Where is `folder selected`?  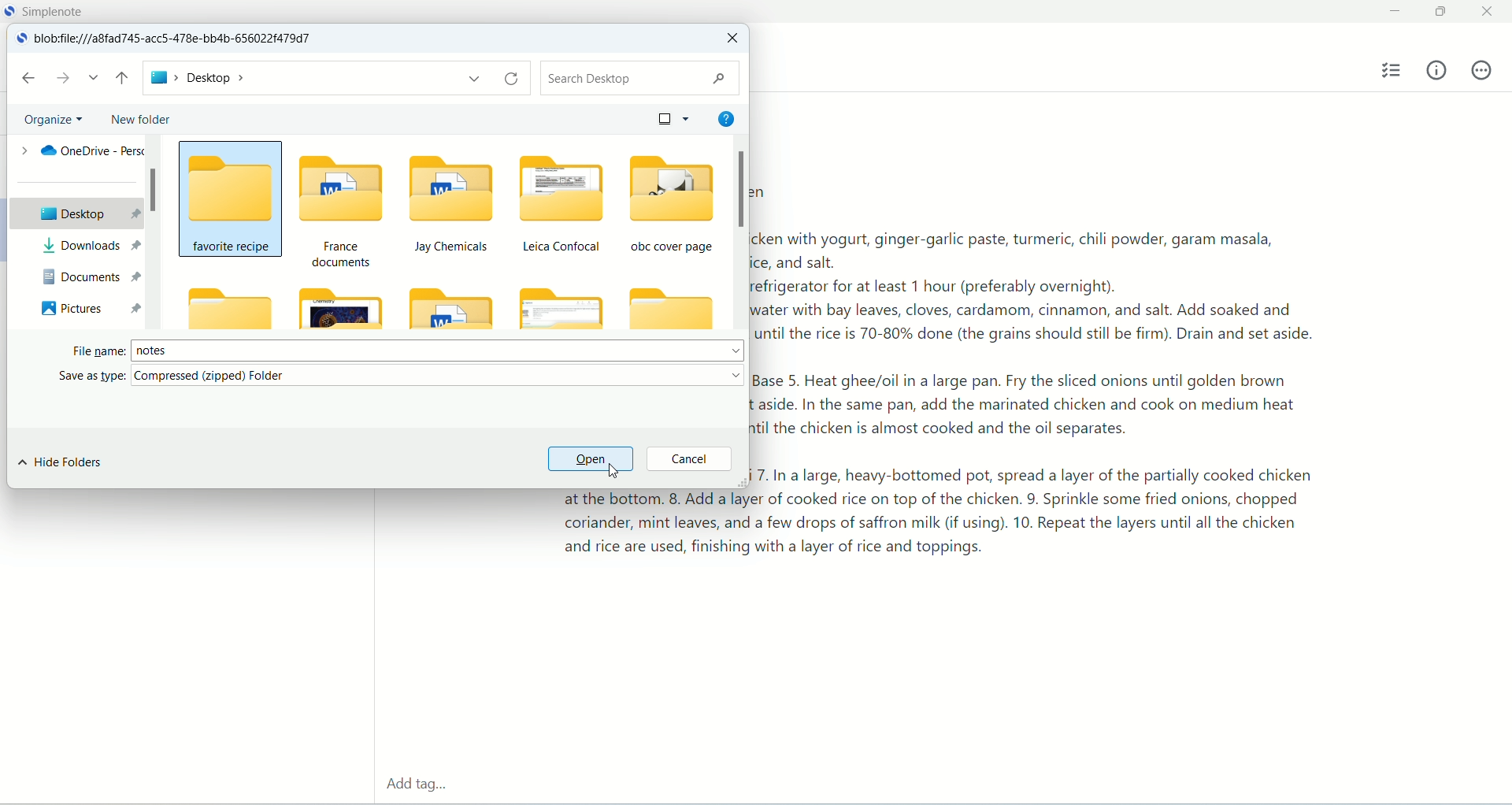 folder selected is located at coordinates (231, 197).